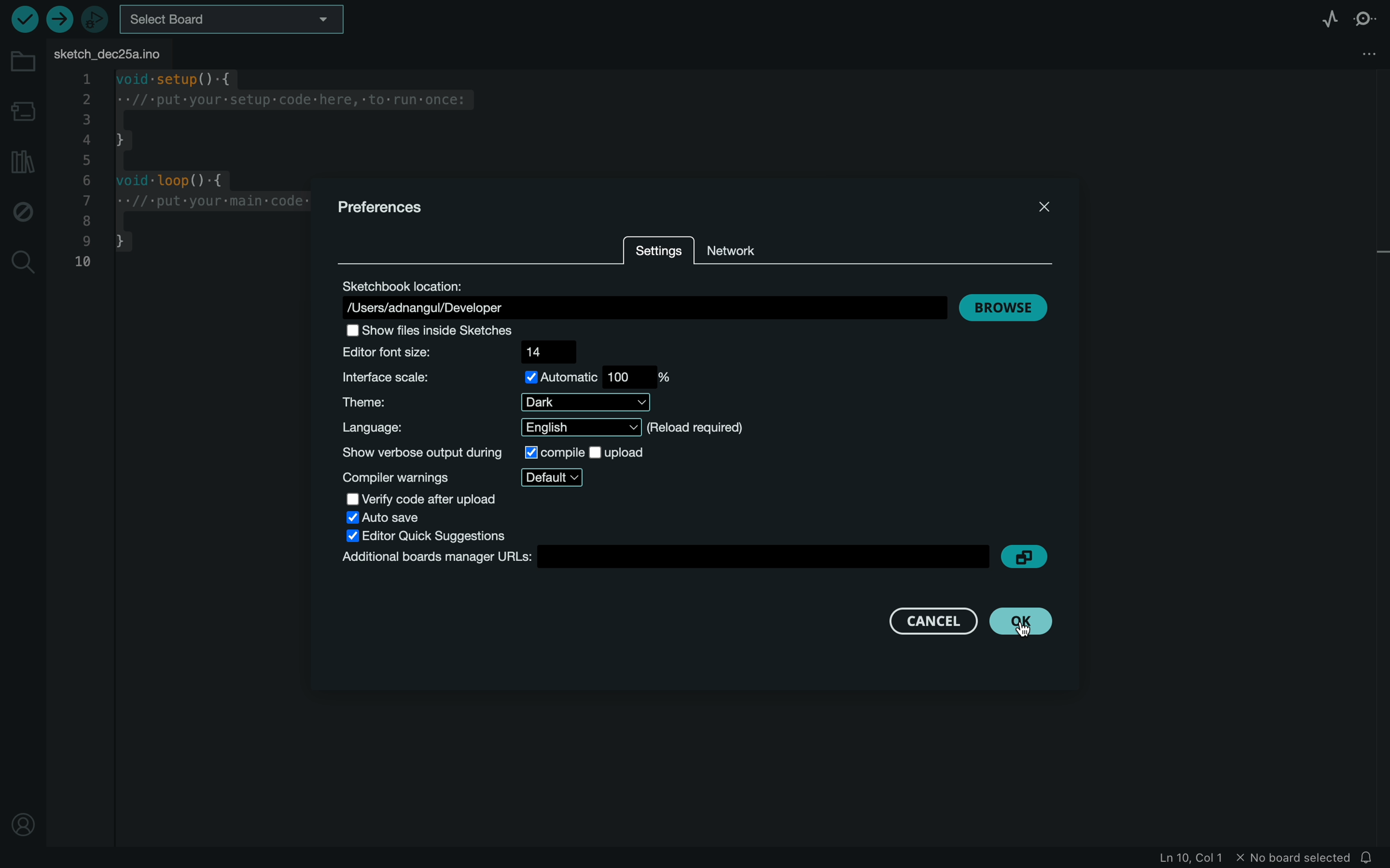 This screenshot has width=1390, height=868. I want to click on board  manager, so click(25, 111).